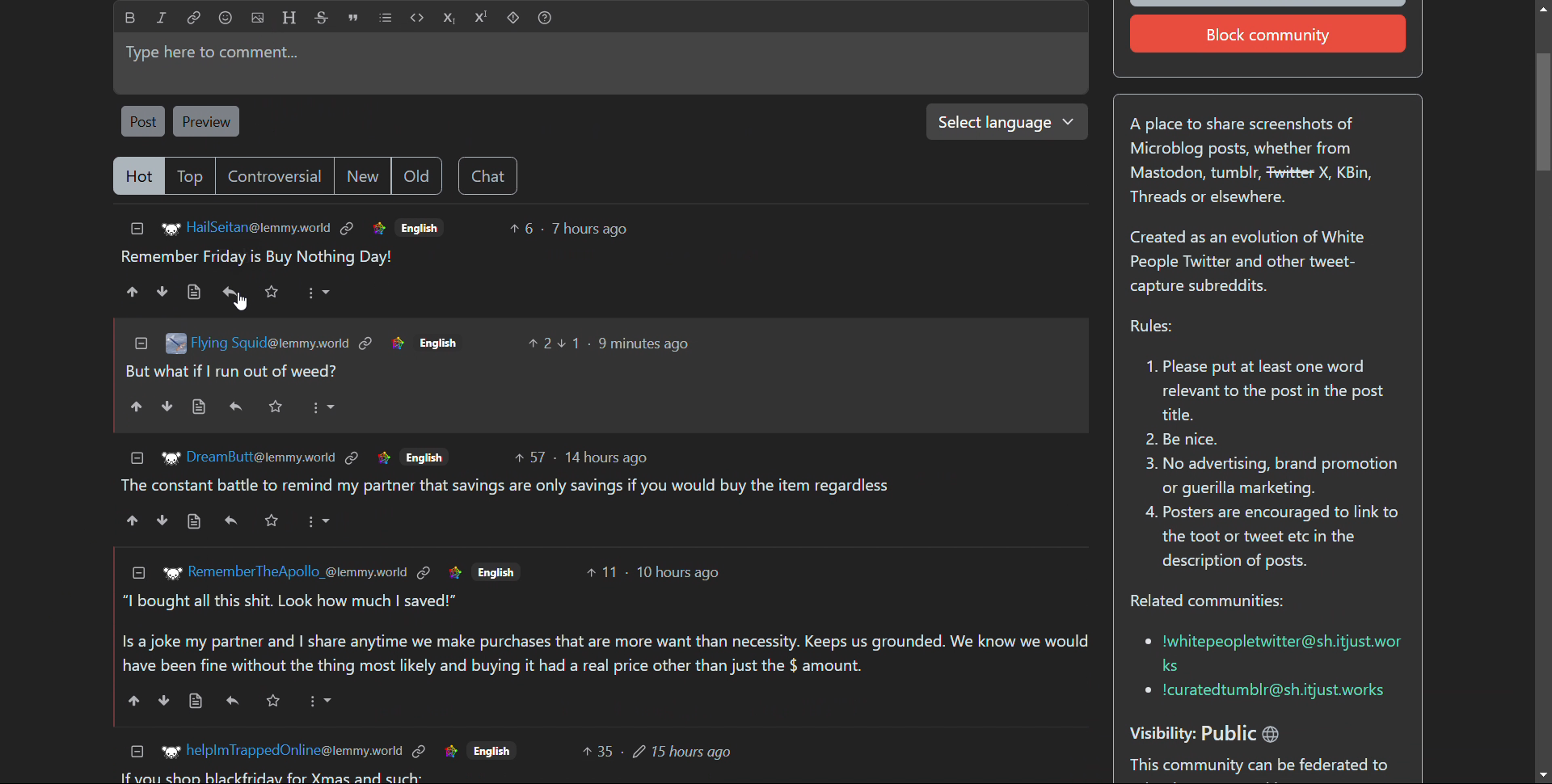 The image size is (1552, 784). What do you see at coordinates (289, 17) in the screenshot?
I see `header` at bounding box center [289, 17].